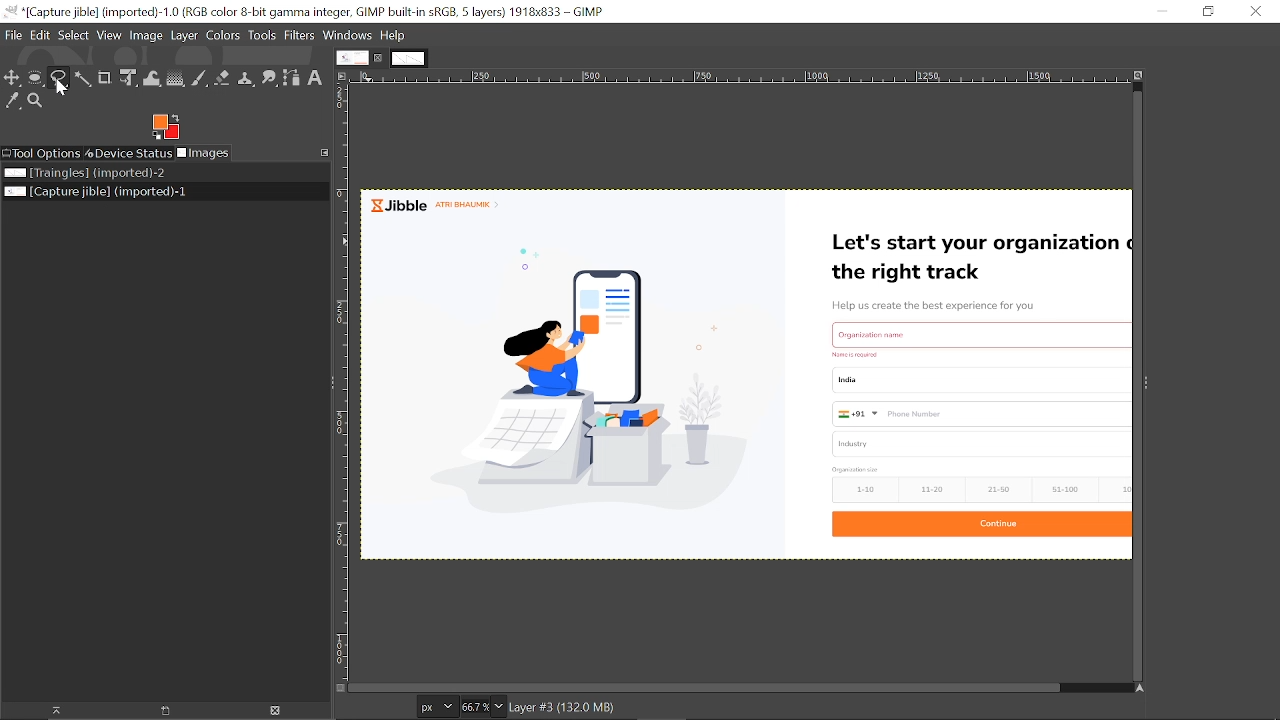  I want to click on Ellipse select tool, so click(36, 79).